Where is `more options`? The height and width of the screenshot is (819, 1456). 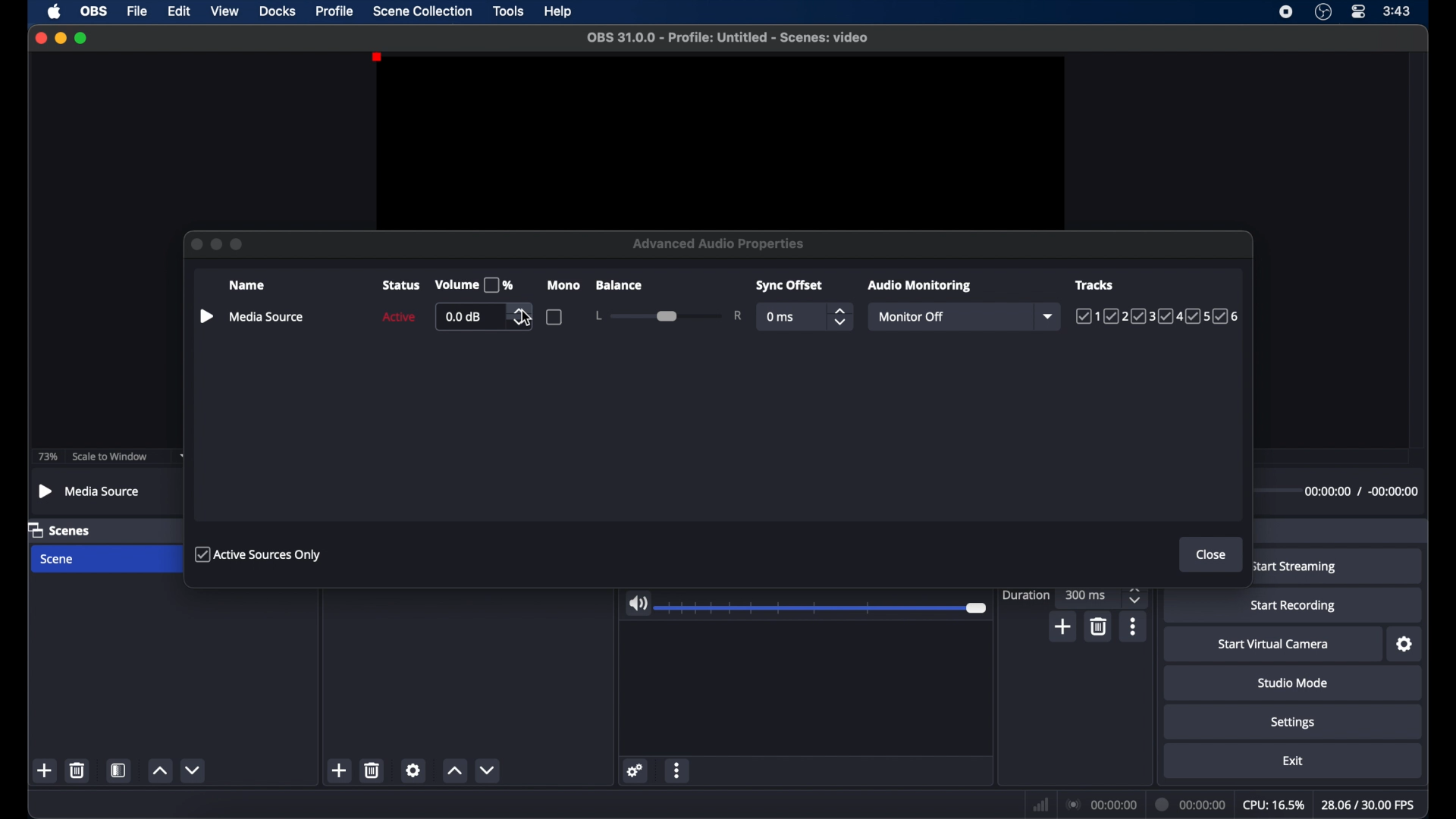
more options is located at coordinates (1134, 626).